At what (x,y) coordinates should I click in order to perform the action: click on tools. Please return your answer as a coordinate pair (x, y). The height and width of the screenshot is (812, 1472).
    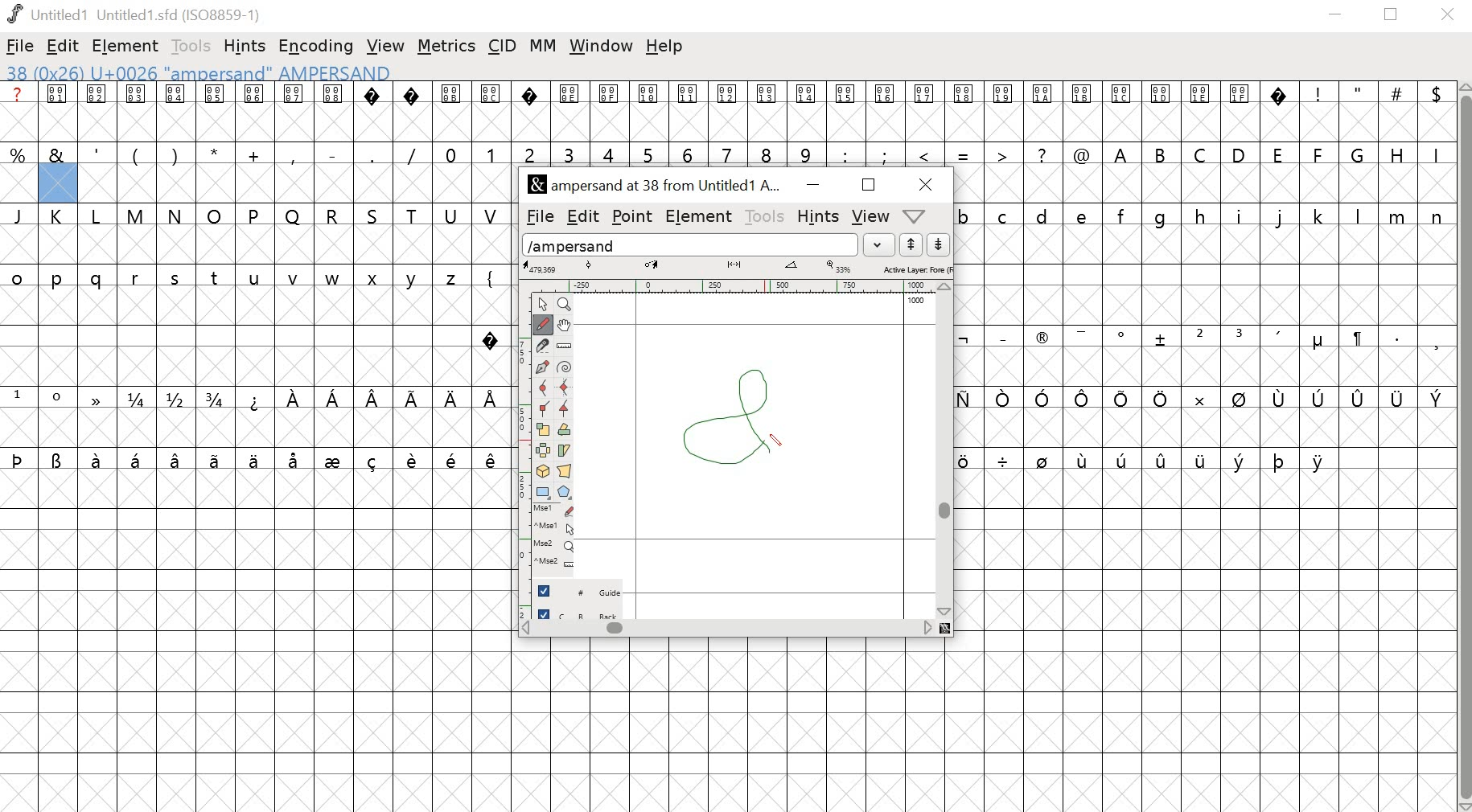
    Looking at the image, I should click on (187, 45).